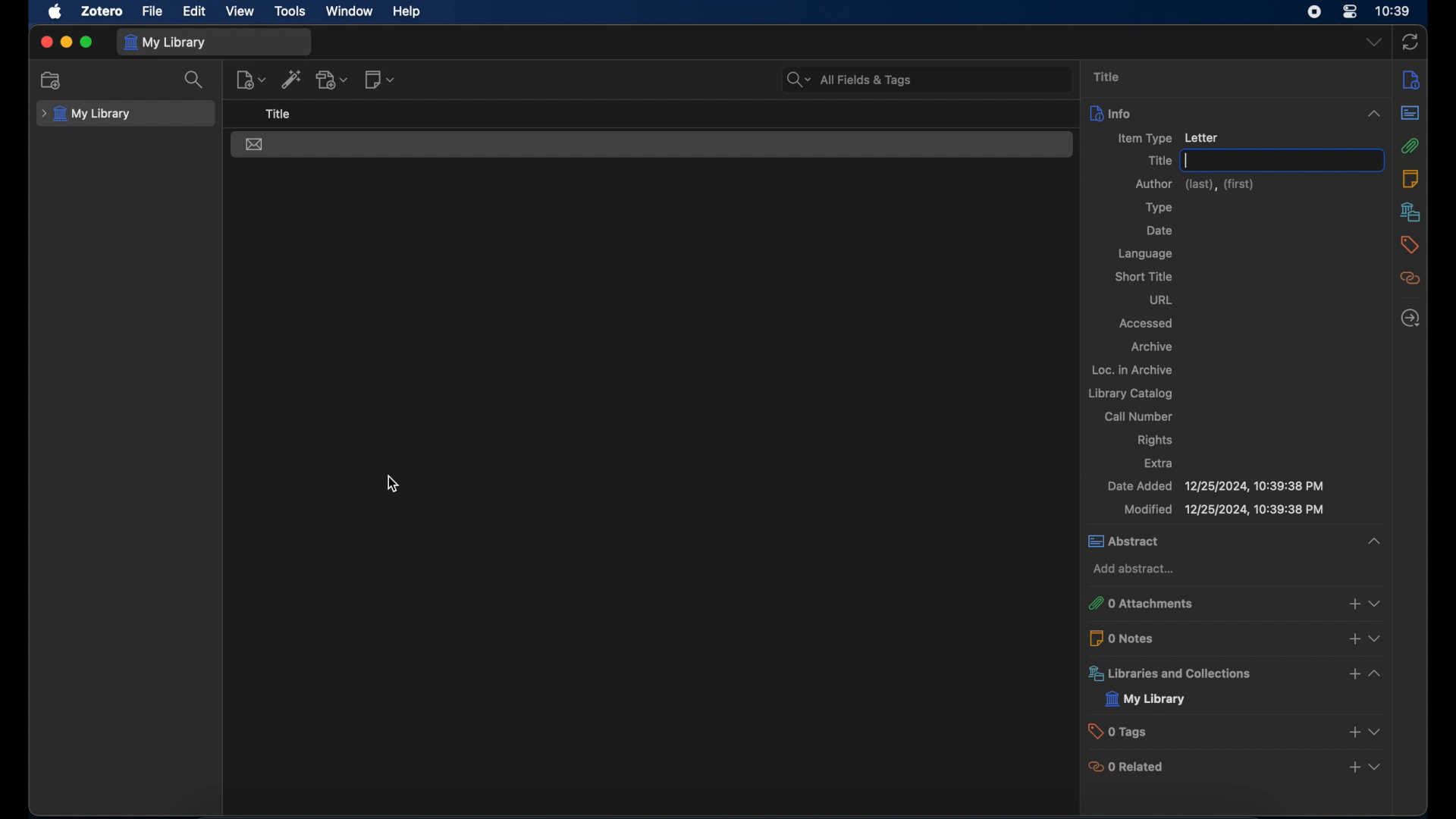 This screenshot has width=1456, height=819. I want to click on item type, so click(1144, 137).